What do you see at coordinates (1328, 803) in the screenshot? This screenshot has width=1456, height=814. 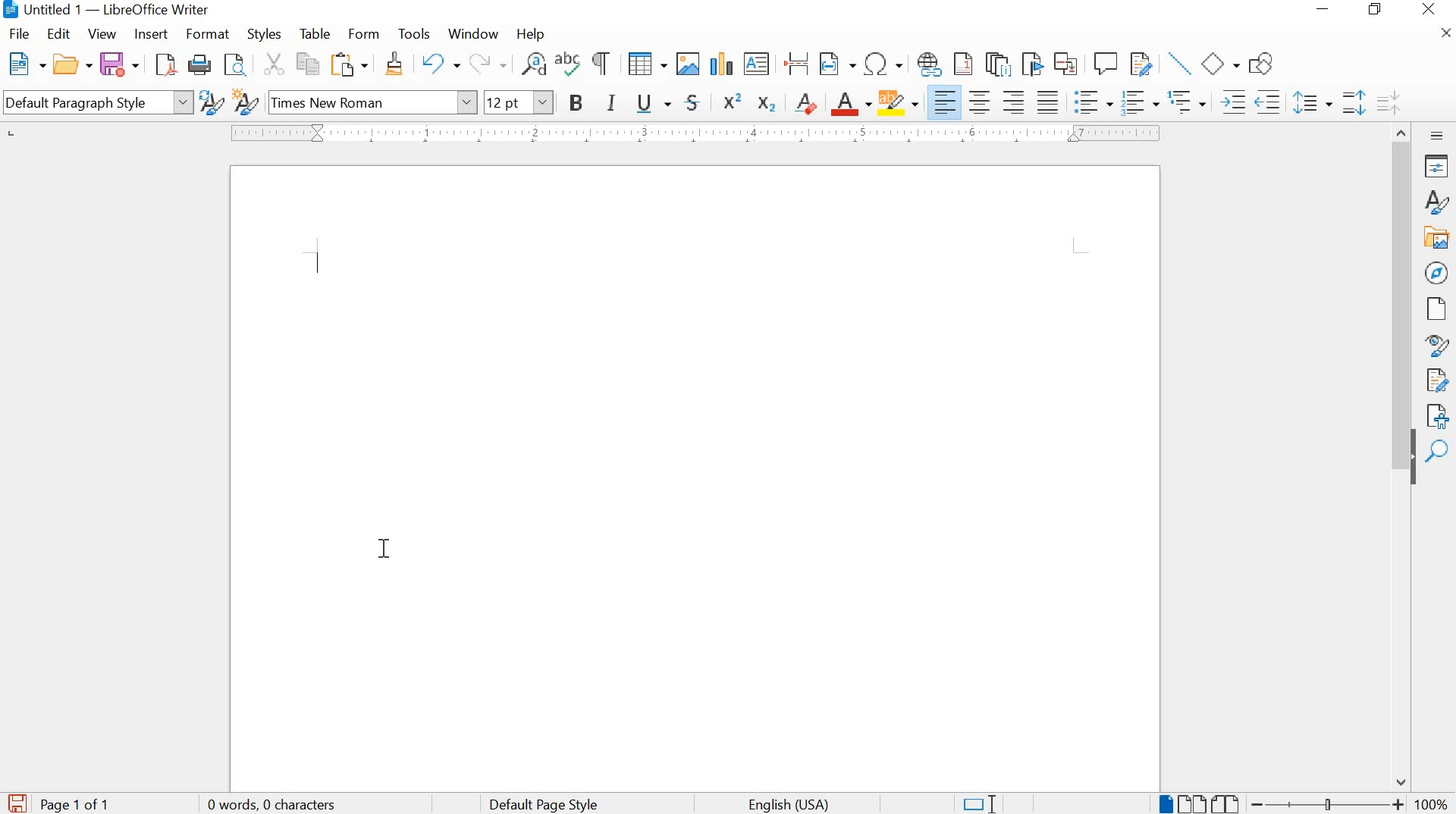 I see `ZOOM OUT OR ZOOM IN` at bounding box center [1328, 803].